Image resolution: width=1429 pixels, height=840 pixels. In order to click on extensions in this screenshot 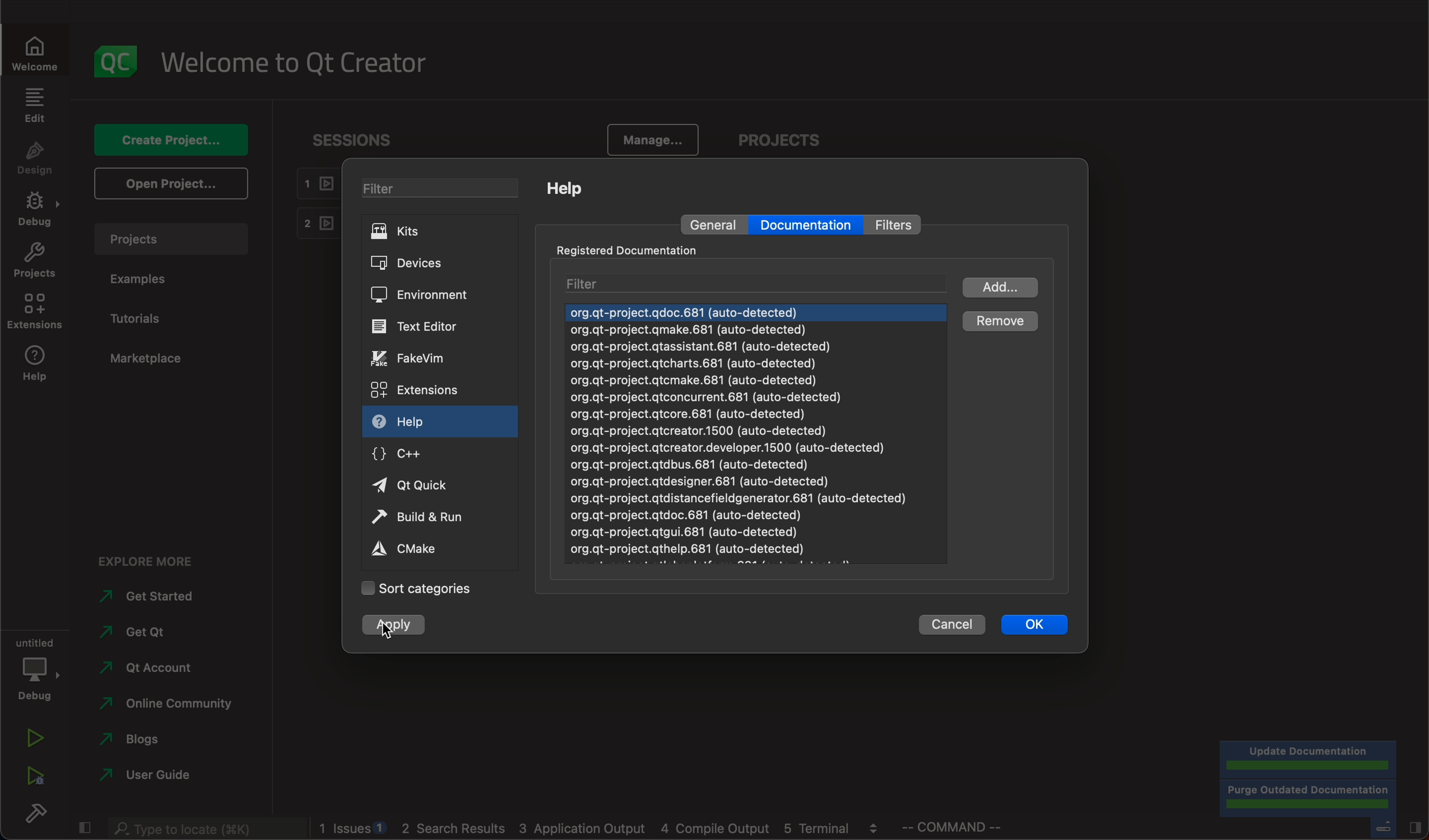, I will do `click(417, 389)`.